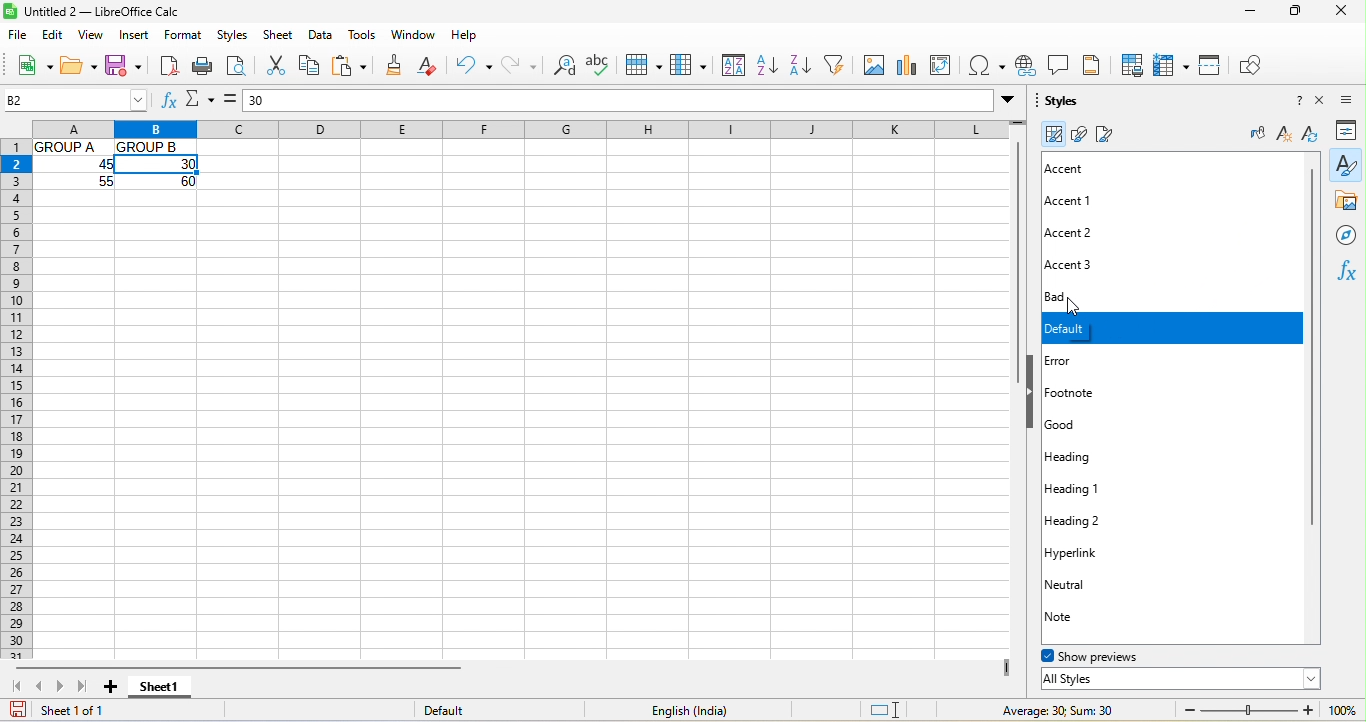 Image resolution: width=1366 pixels, height=722 pixels. I want to click on redo, so click(520, 68).